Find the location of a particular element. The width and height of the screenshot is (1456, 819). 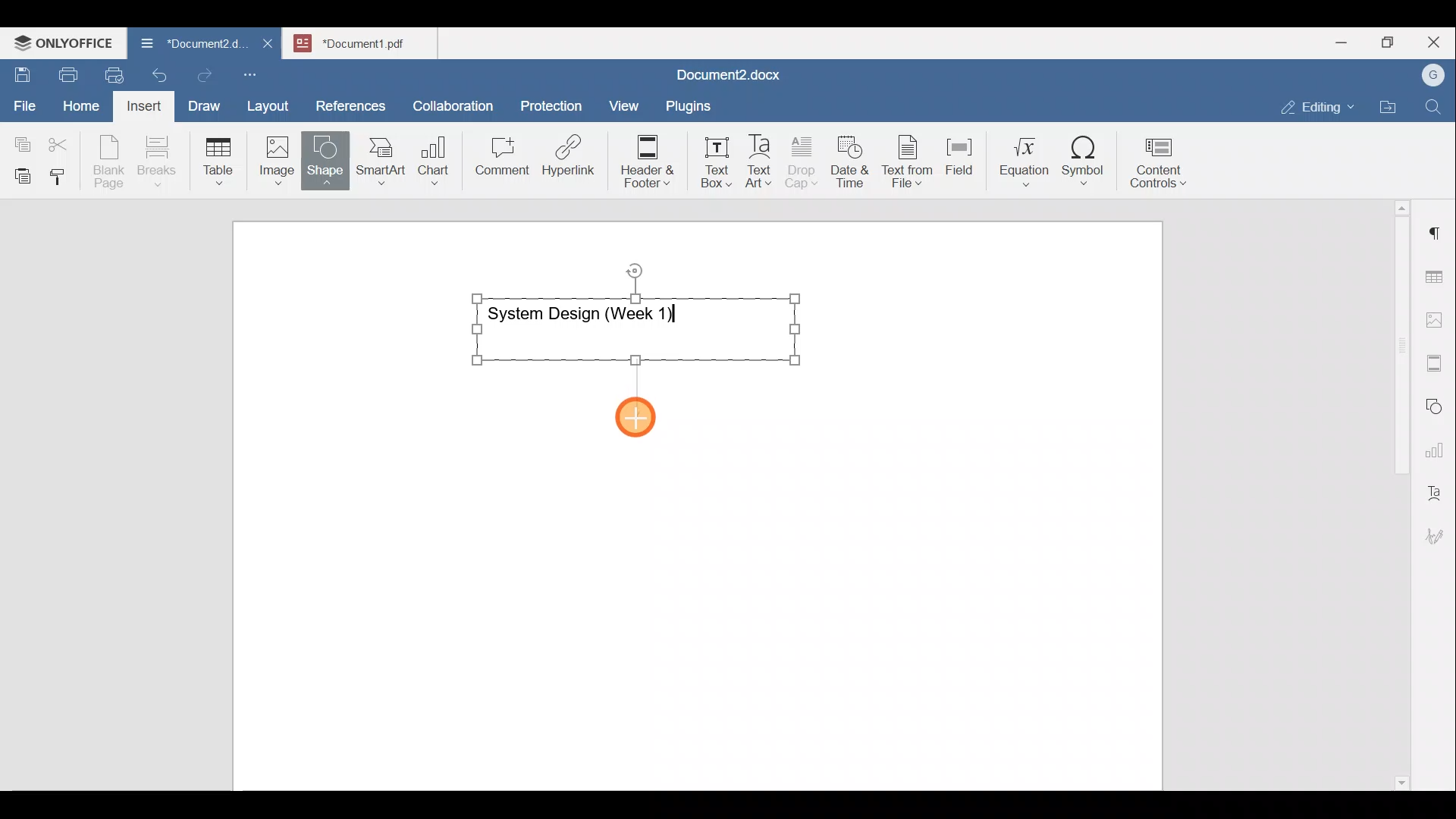

Symbol is located at coordinates (1084, 165).